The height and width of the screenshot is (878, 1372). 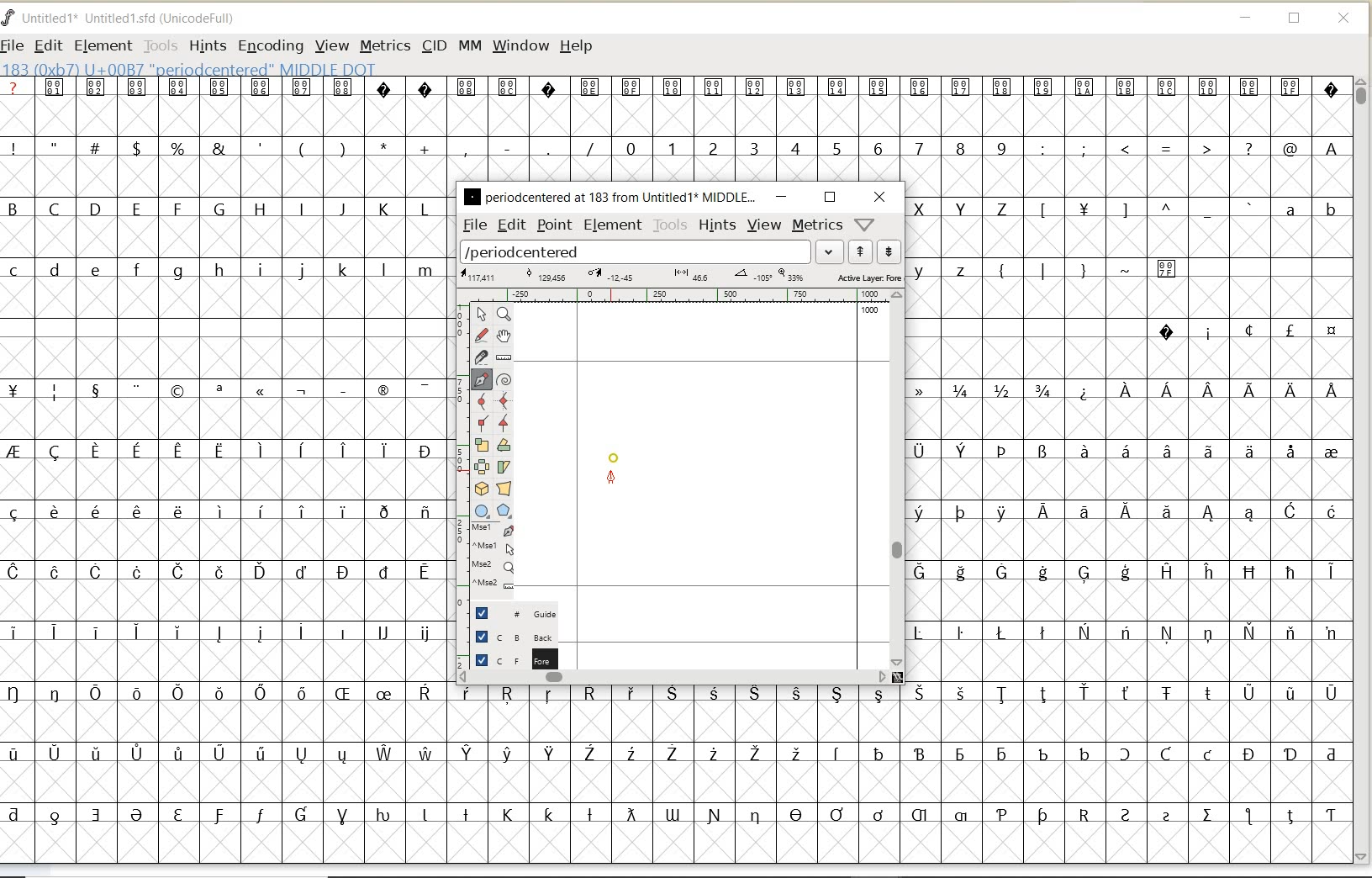 What do you see at coordinates (483, 467) in the screenshot?
I see `flip the selection` at bounding box center [483, 467].